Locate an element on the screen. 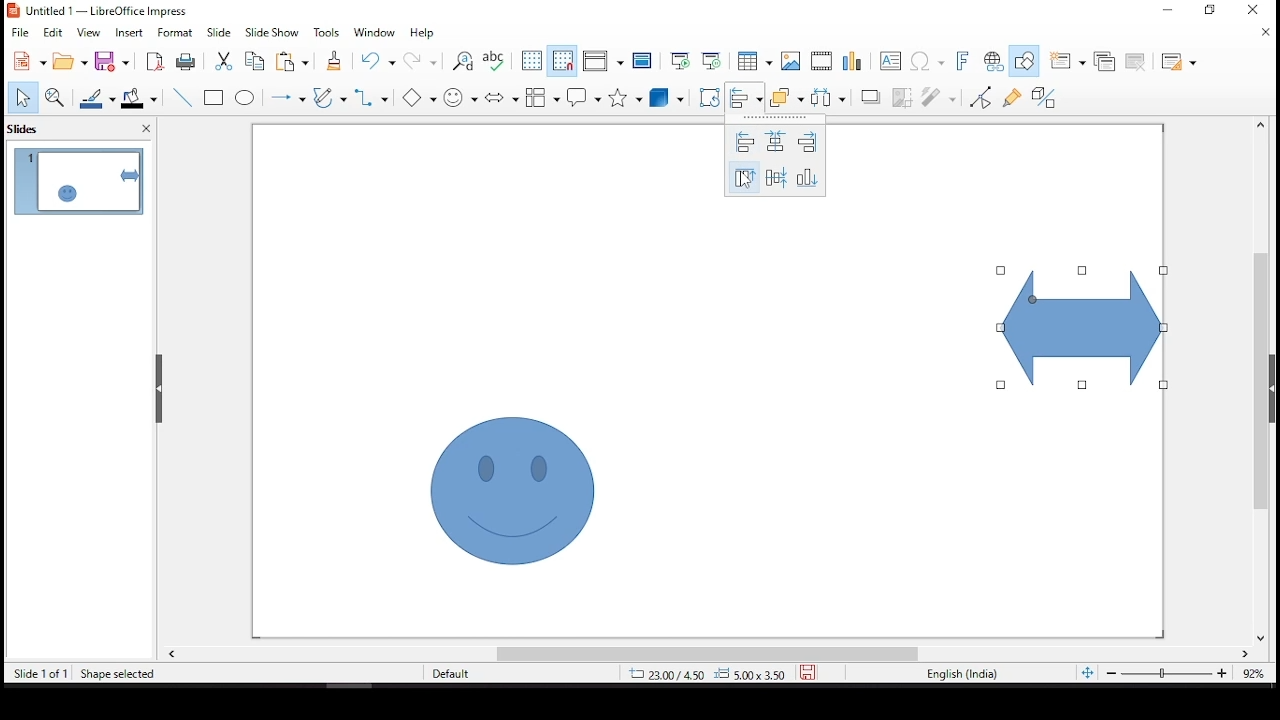 This screenshot has height=720, width=1280. start from first slide is located at coordinates (677, 59).